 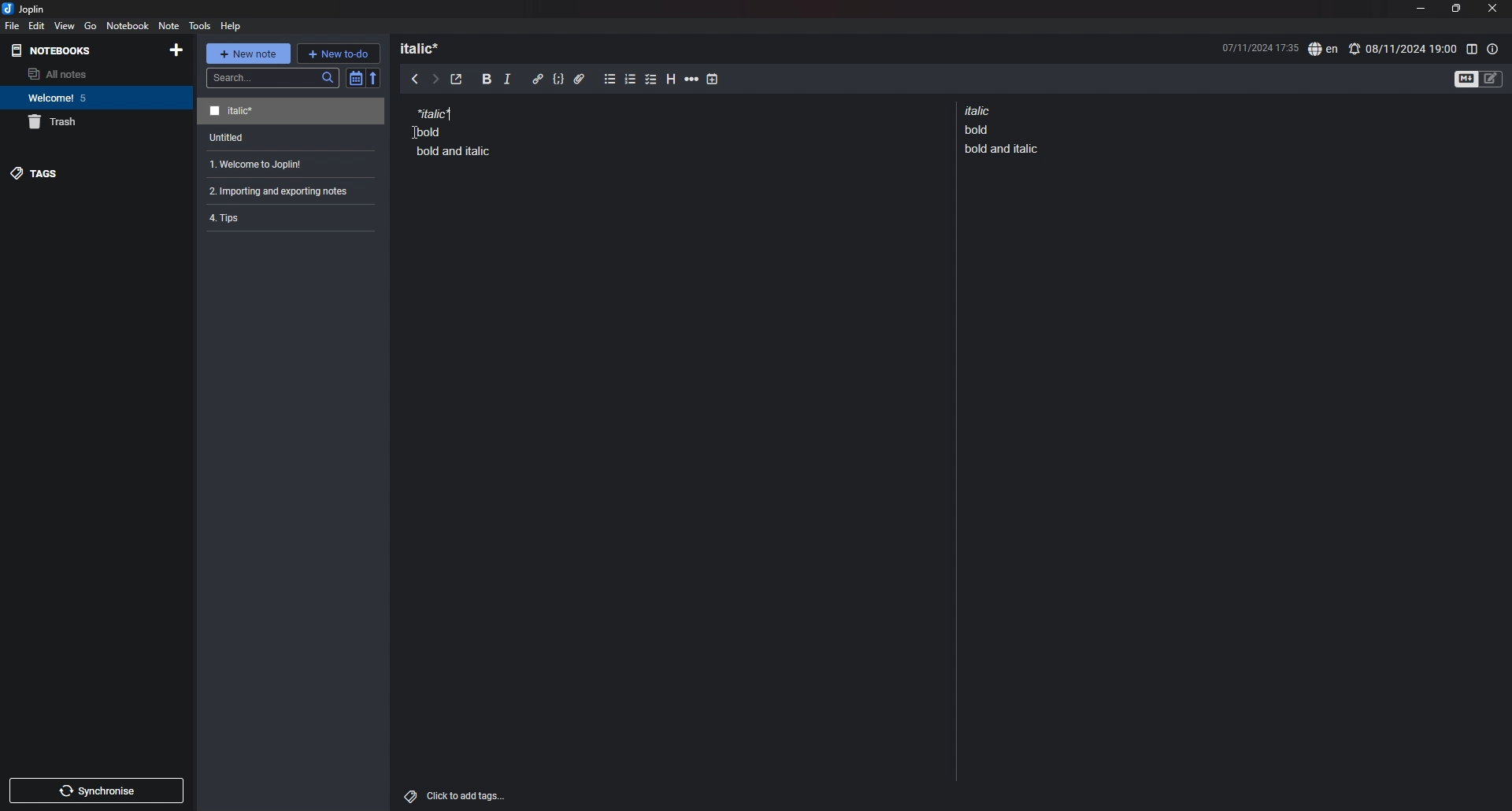 What do you see at coordinates (232, 25) in the screenshot?
I see `help` at bounding box center [232, 25].